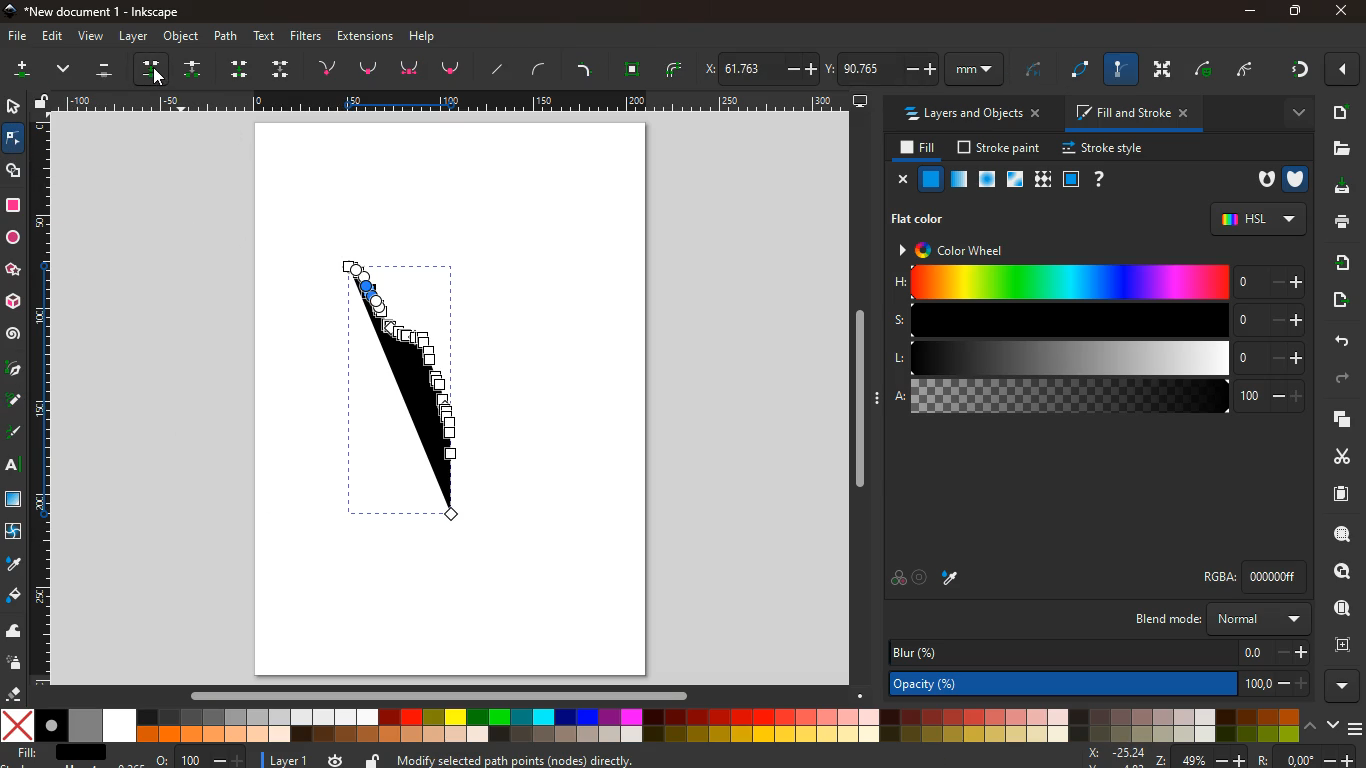 This screenshot has height=768, width=1366. Describe the element at coordinates (15, 302) in the screenshot. I see `3d tool` at that location.